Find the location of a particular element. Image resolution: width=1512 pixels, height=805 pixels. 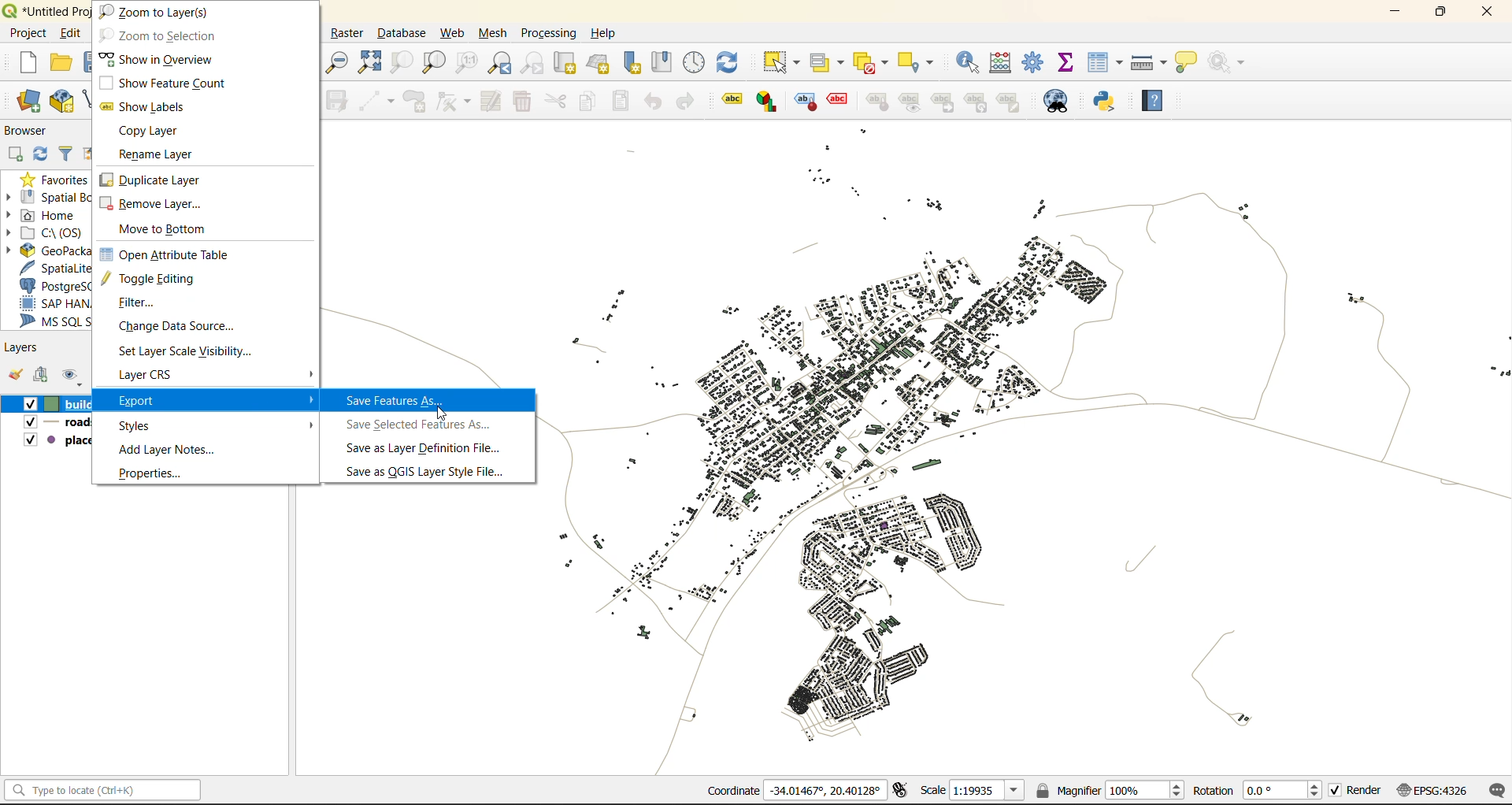

zoom last is located at coordinates (502, 64).